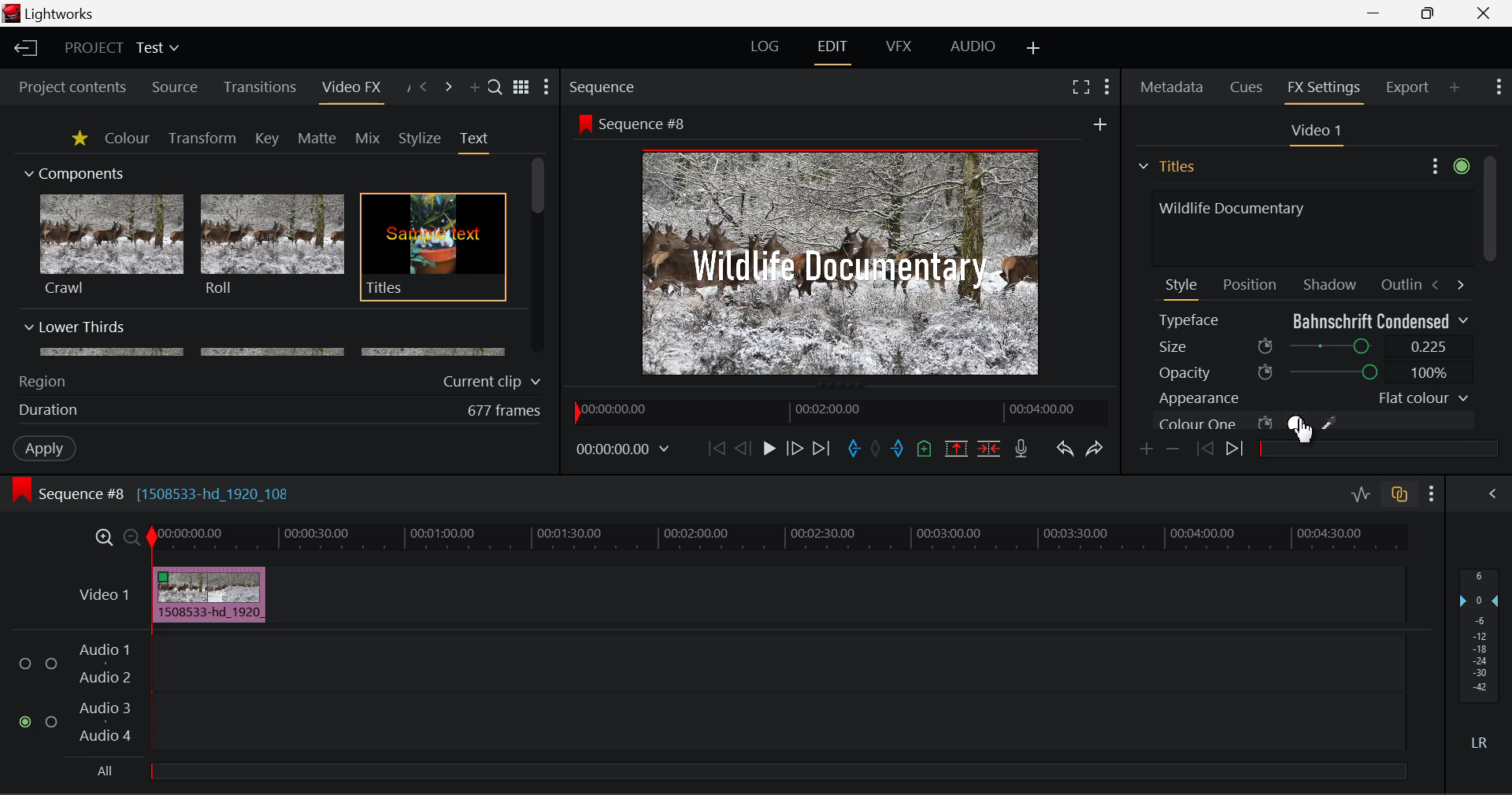 The width and height of the screenshot is (1512, 795). What do you see at coordinates (1490, 494) in the screenshot?
I see `Show Audio Mix` at bounding box center [1490, 494].